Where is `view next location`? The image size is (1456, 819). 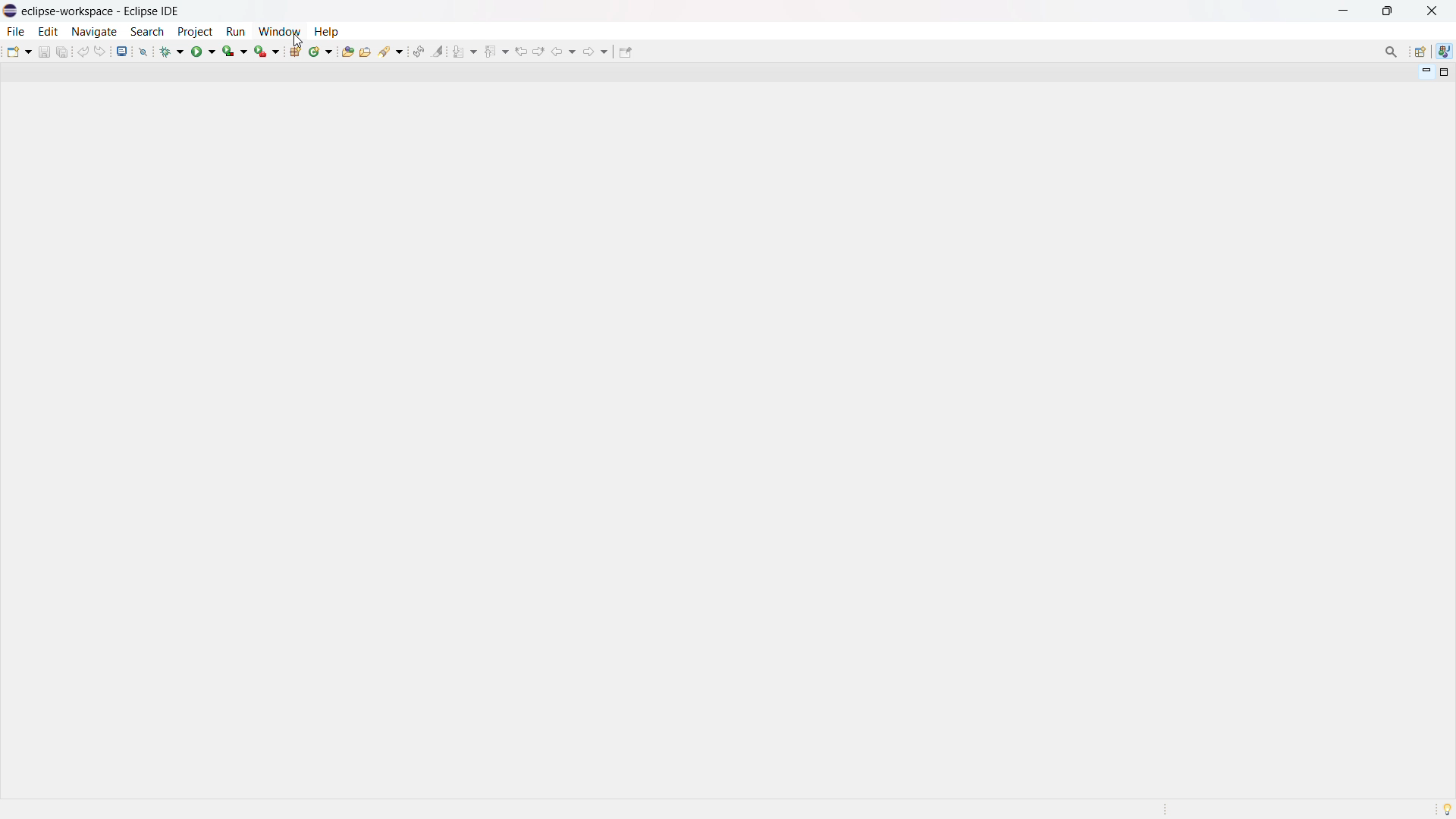
view next location is located at coordinates (538, 50).